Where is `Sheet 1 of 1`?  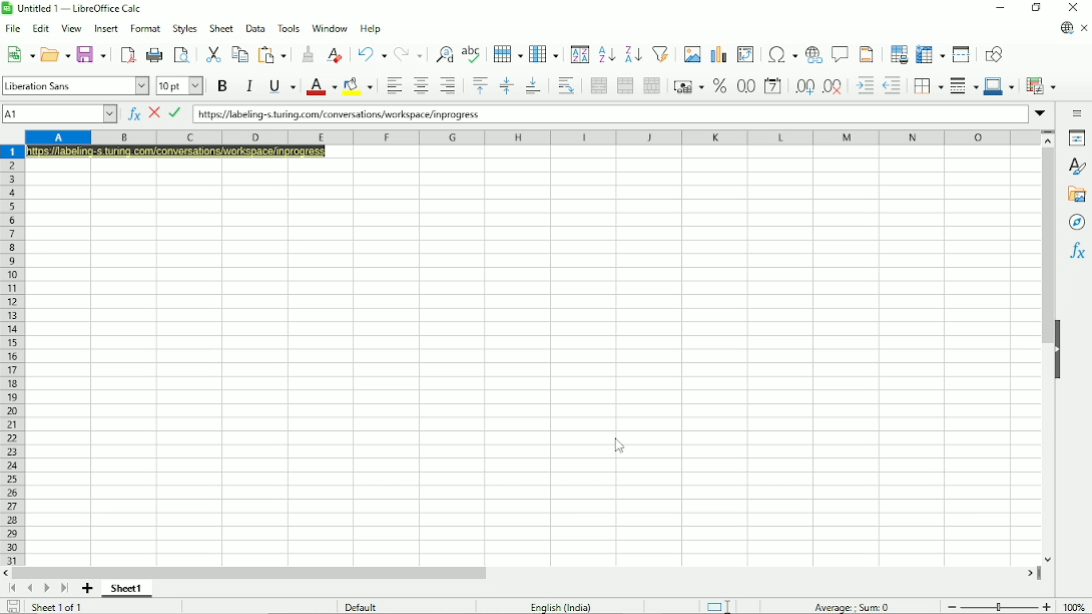
Sheet 1 of 1 is located at coordinates (60, 608).